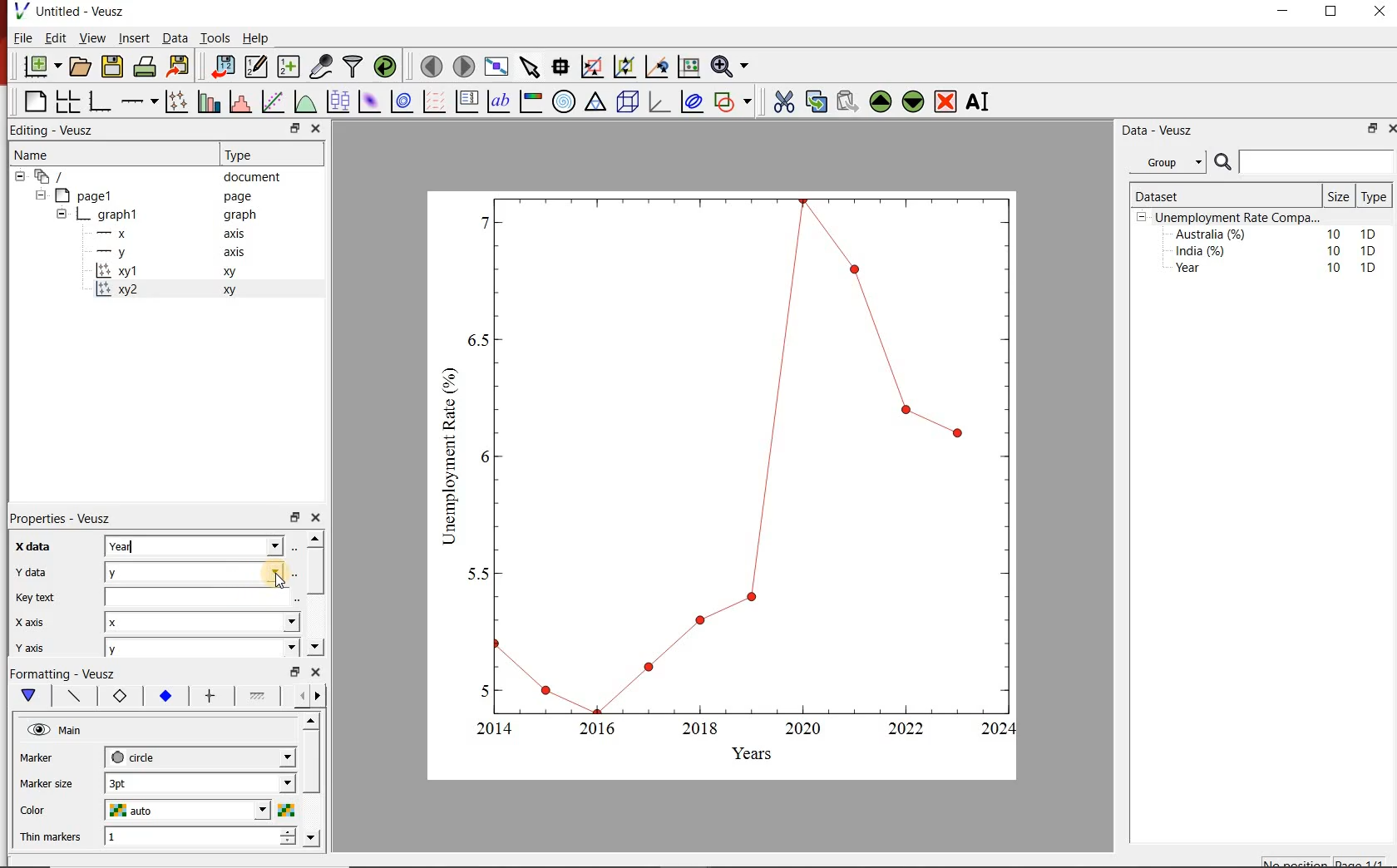 This screenshot has width=1397, height=868. Describe the element at coordinates (323, 66) in the screenshot. I see `caputure remote data` at that location.